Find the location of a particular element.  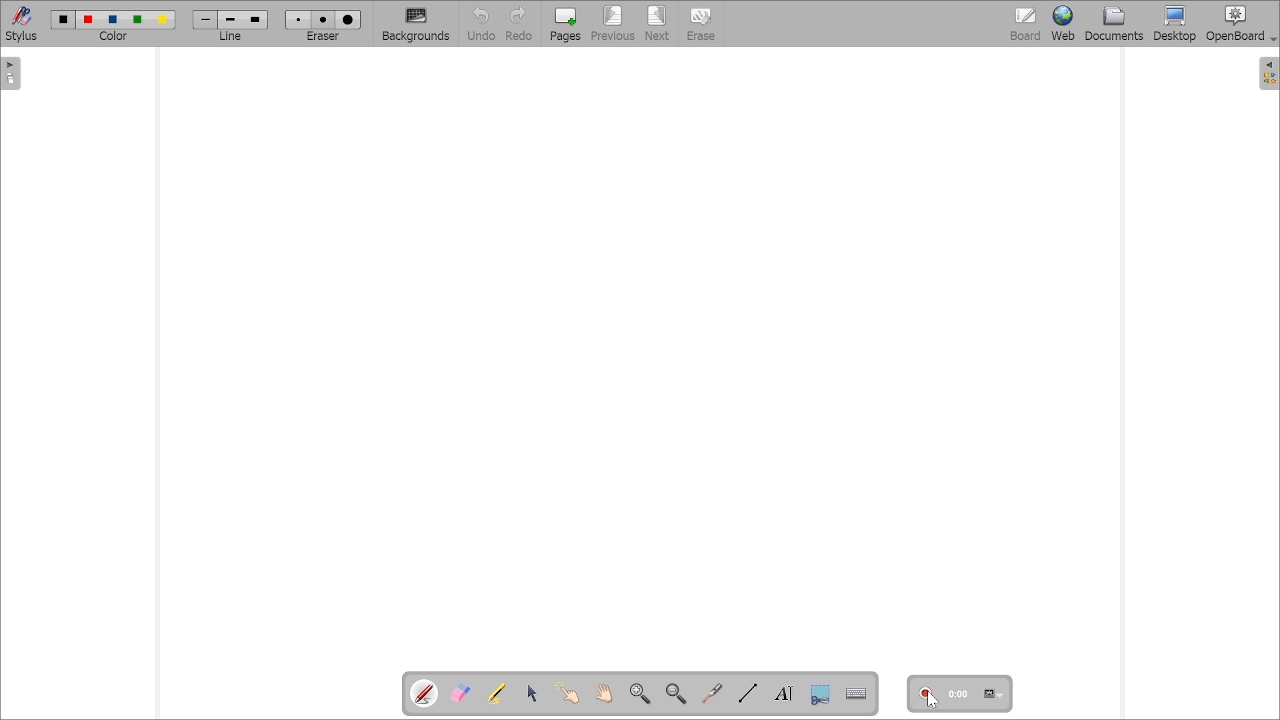

color4 is located at coordinates (136, 21).